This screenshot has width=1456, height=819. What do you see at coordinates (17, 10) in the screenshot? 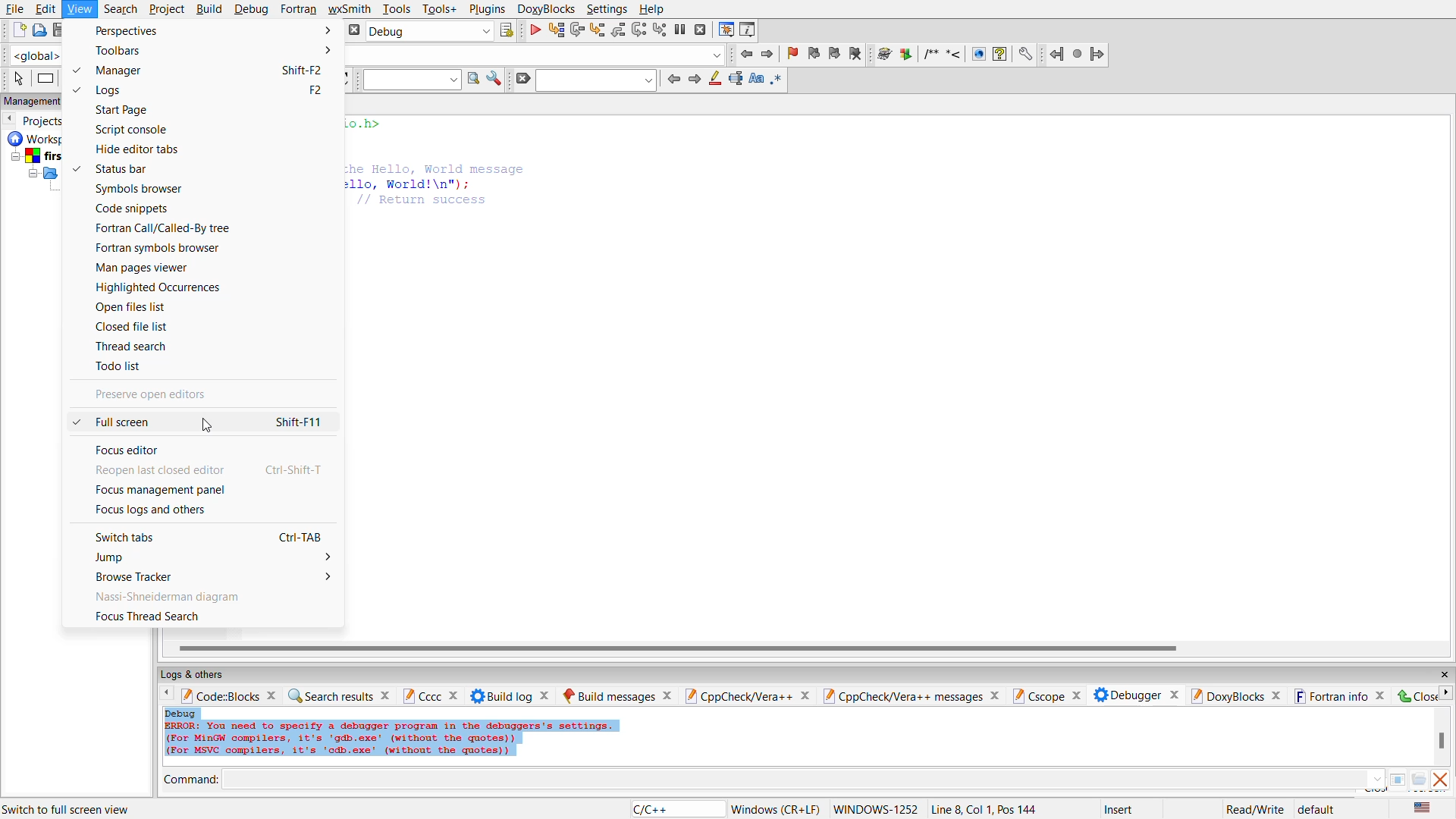
I see `file` at bounding box center [17, 10].